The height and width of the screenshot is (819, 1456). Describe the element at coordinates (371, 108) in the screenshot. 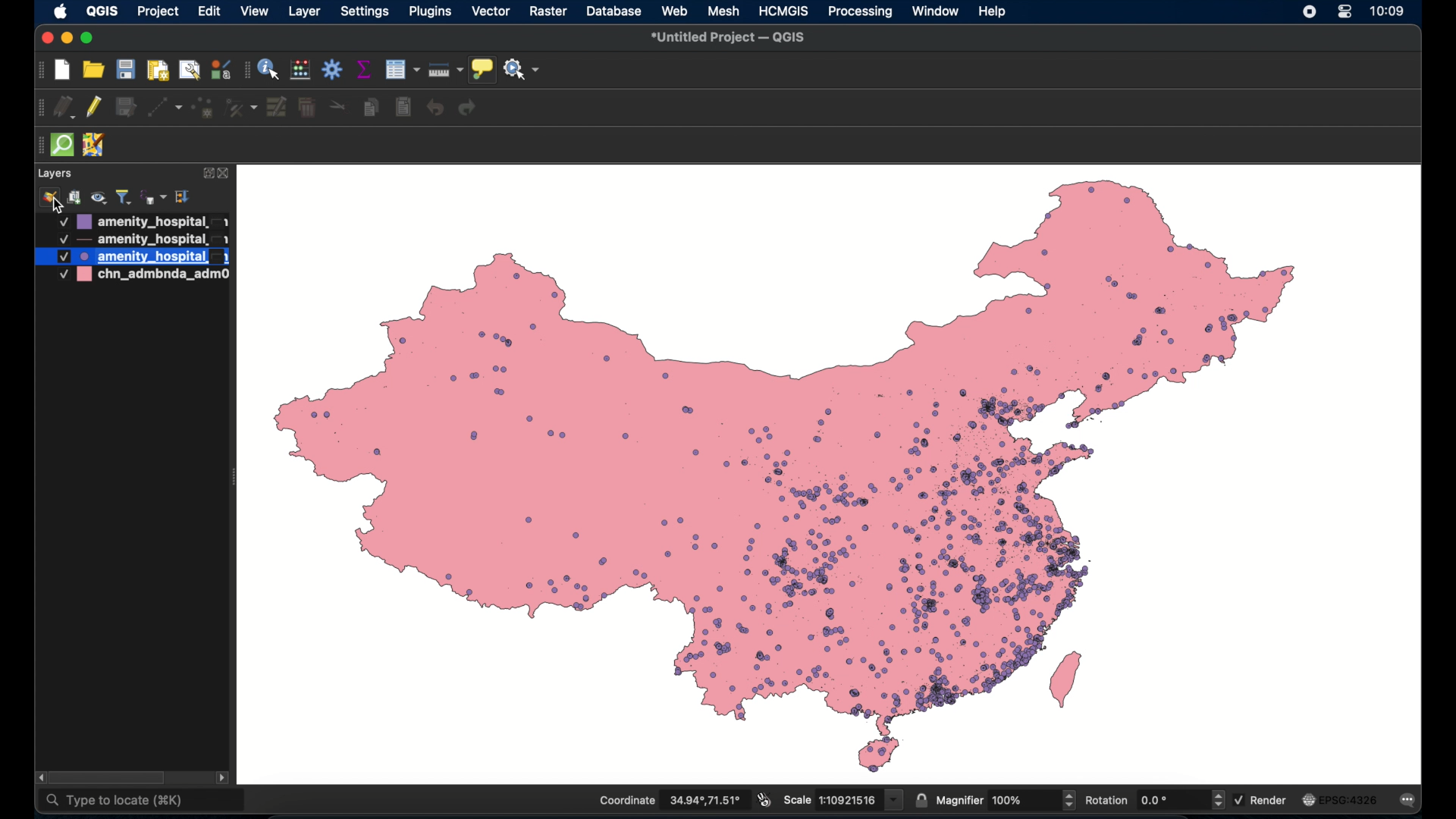

I see `copy features` at that location.